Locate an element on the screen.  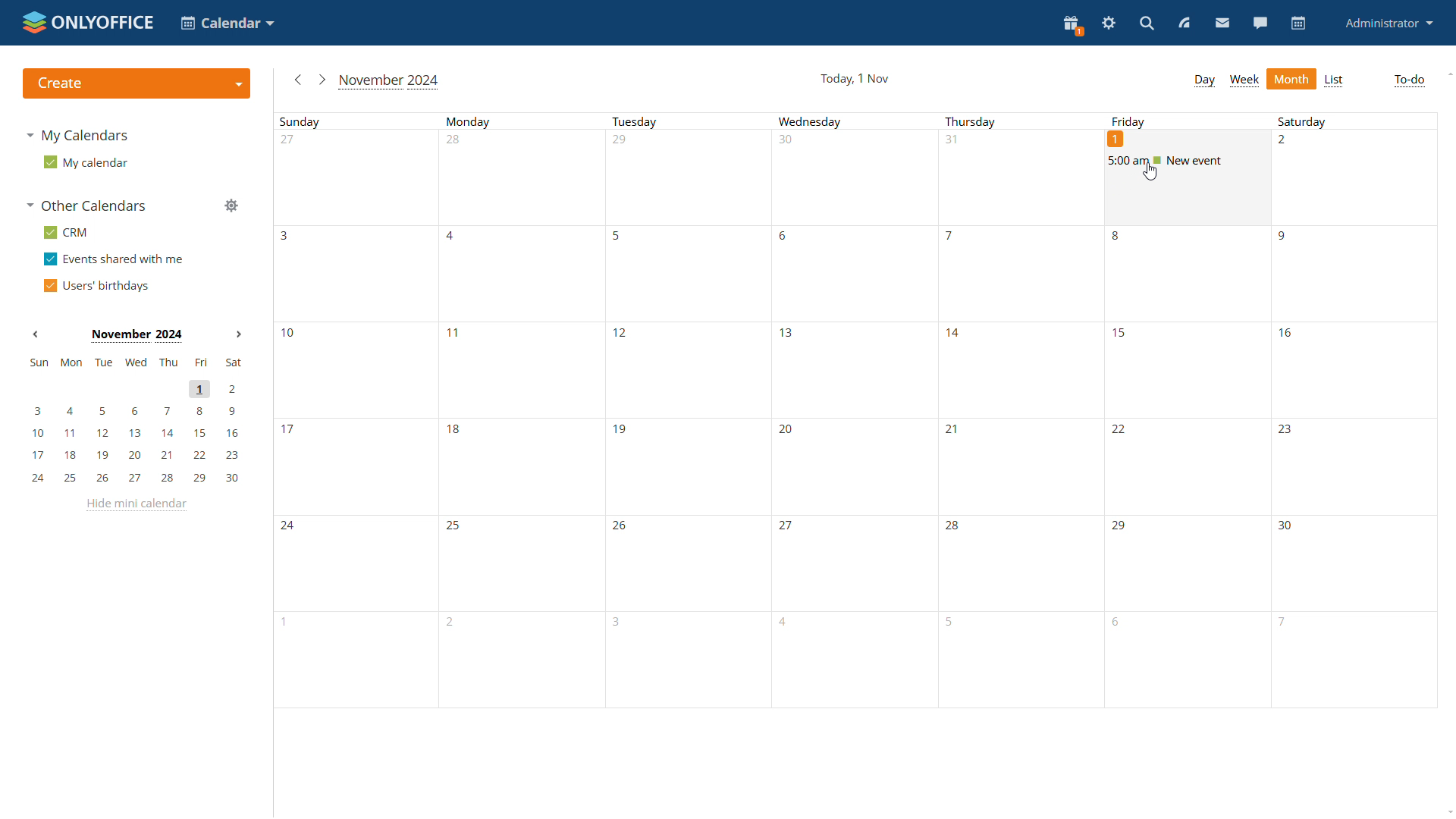
calendar is located at coordinates (1298, 24).